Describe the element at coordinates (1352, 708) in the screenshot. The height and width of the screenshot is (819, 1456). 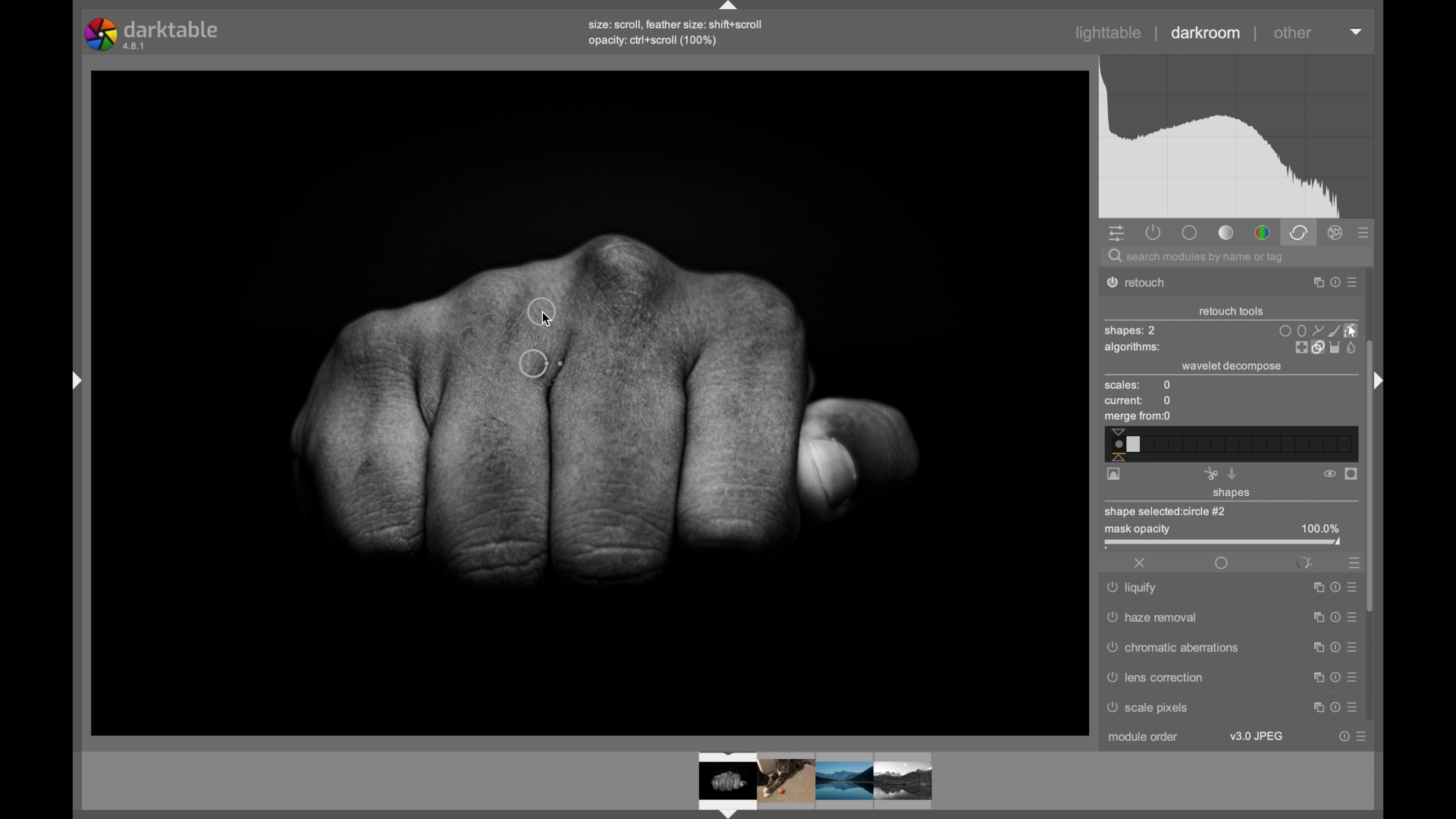
I see `more options` at that location.